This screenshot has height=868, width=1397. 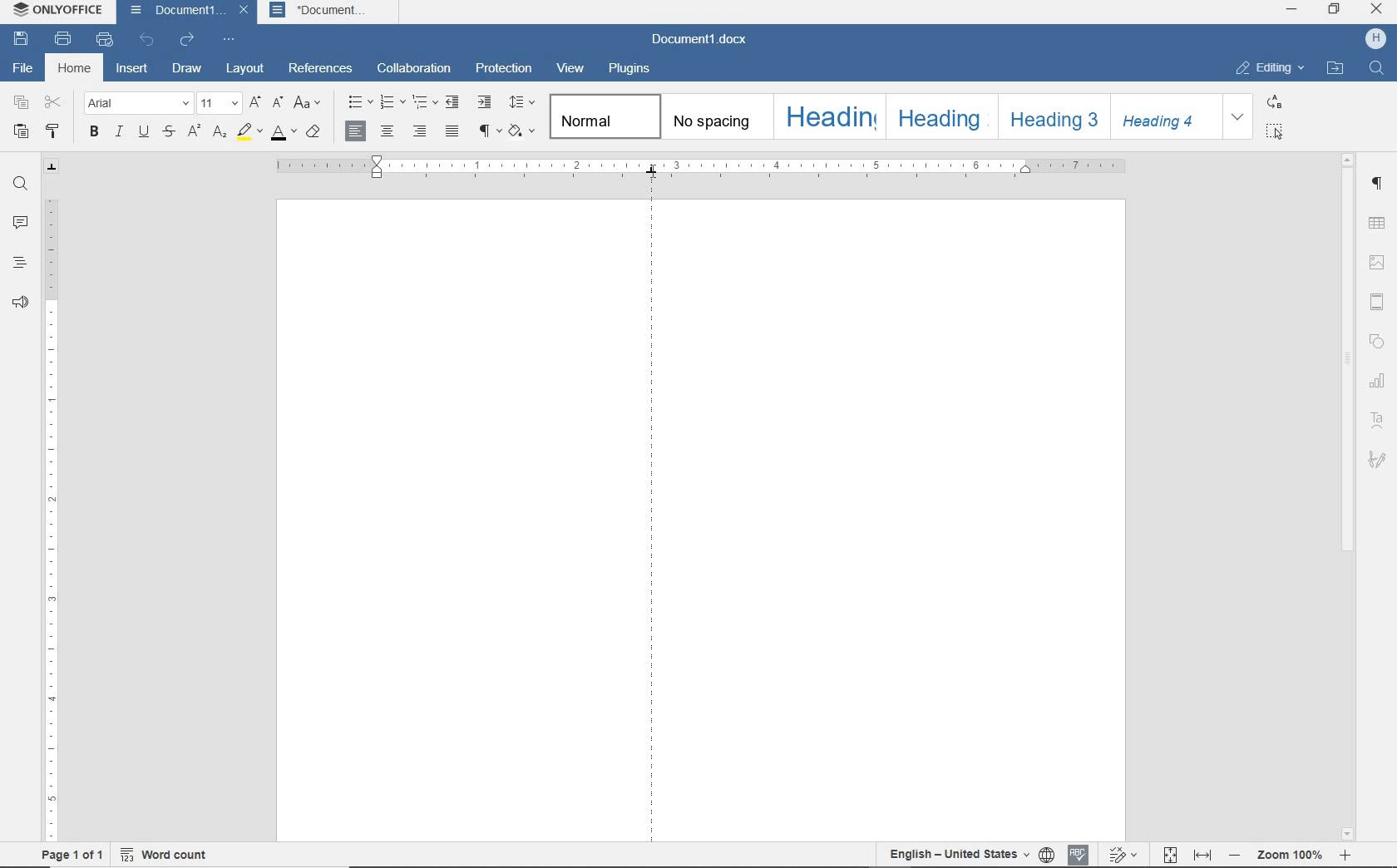 I want to click on FIT TO WIDTH, so click(x=1204, y=853).